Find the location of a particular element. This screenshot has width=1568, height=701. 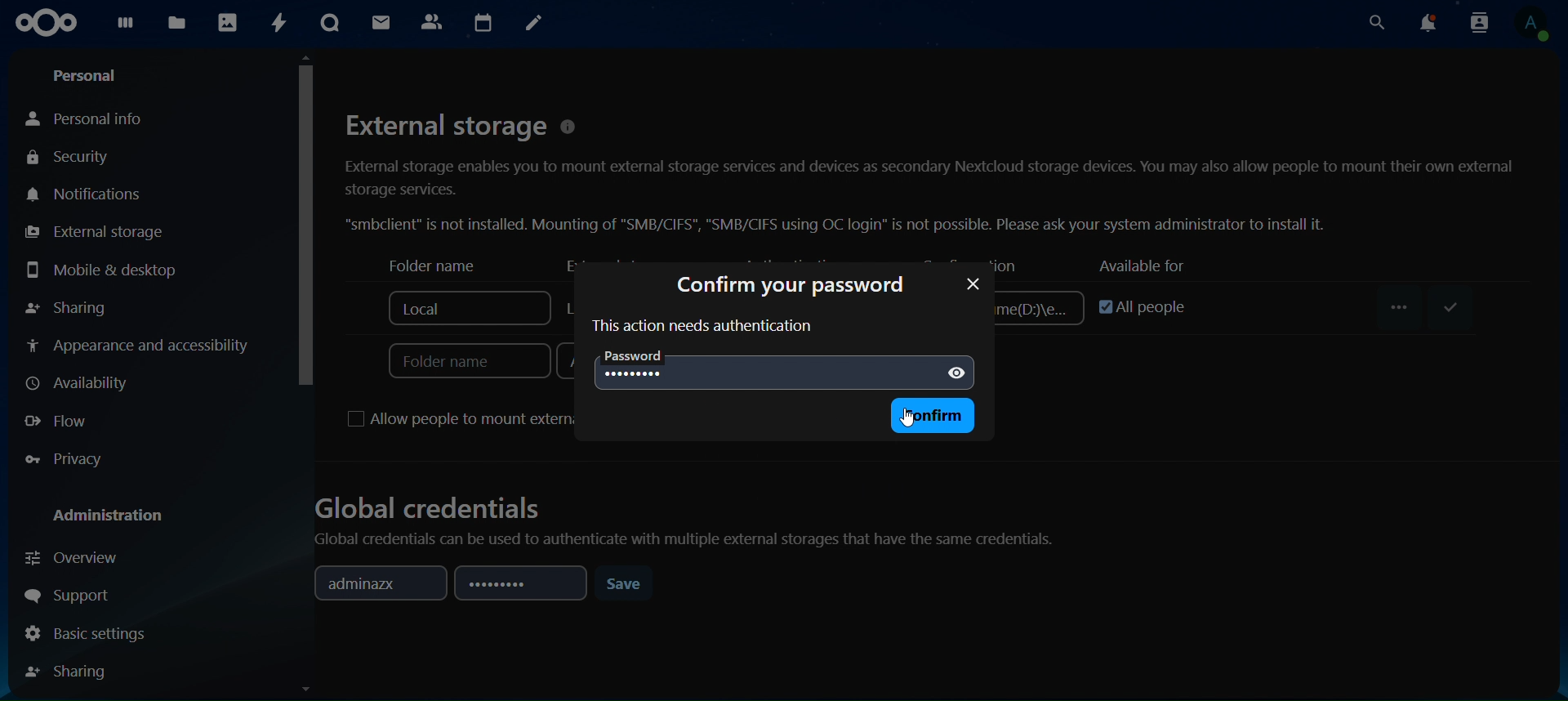

notifications is located at coordinates (84, 194).